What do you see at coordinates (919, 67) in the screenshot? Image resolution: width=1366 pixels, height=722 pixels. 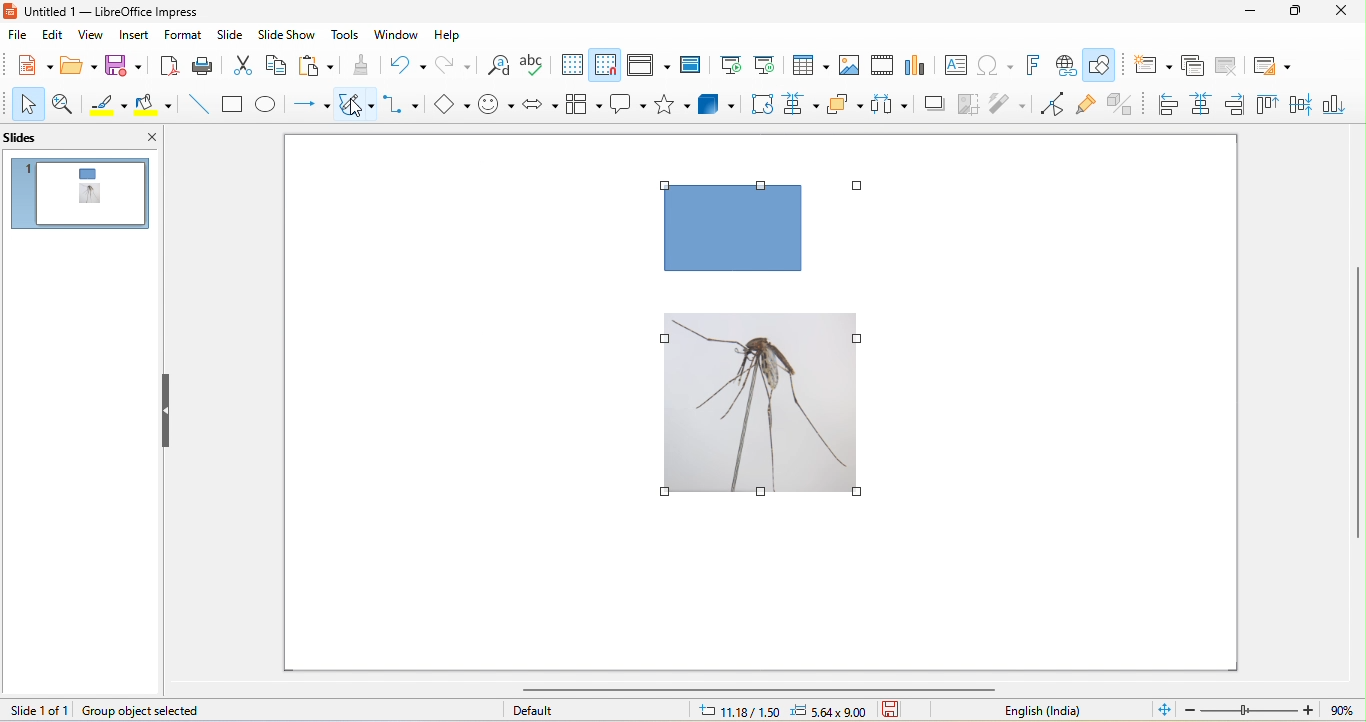 I see `chart` at bounding box center [919, 67].